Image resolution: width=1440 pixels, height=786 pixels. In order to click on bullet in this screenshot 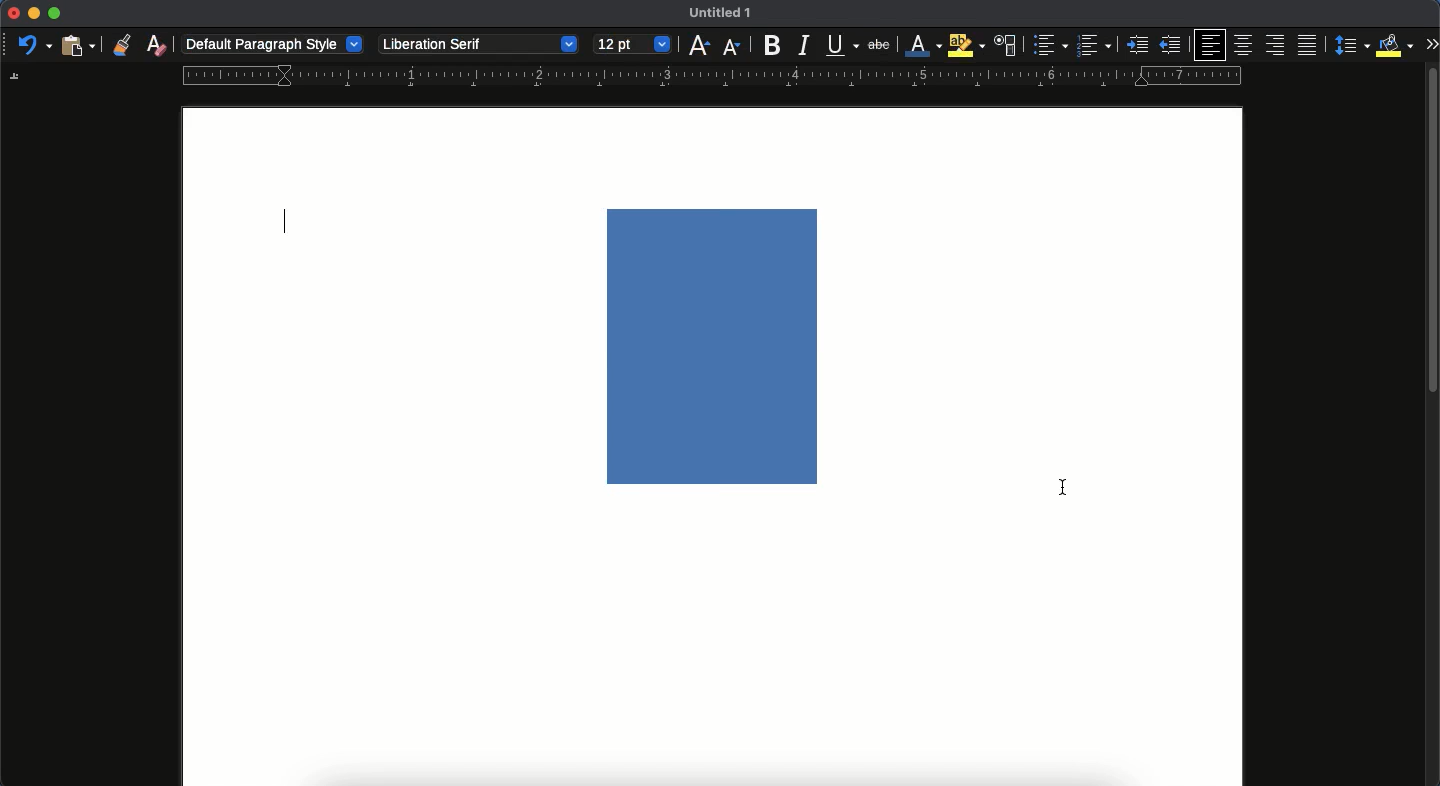, I will do `click(1049, 45)`.